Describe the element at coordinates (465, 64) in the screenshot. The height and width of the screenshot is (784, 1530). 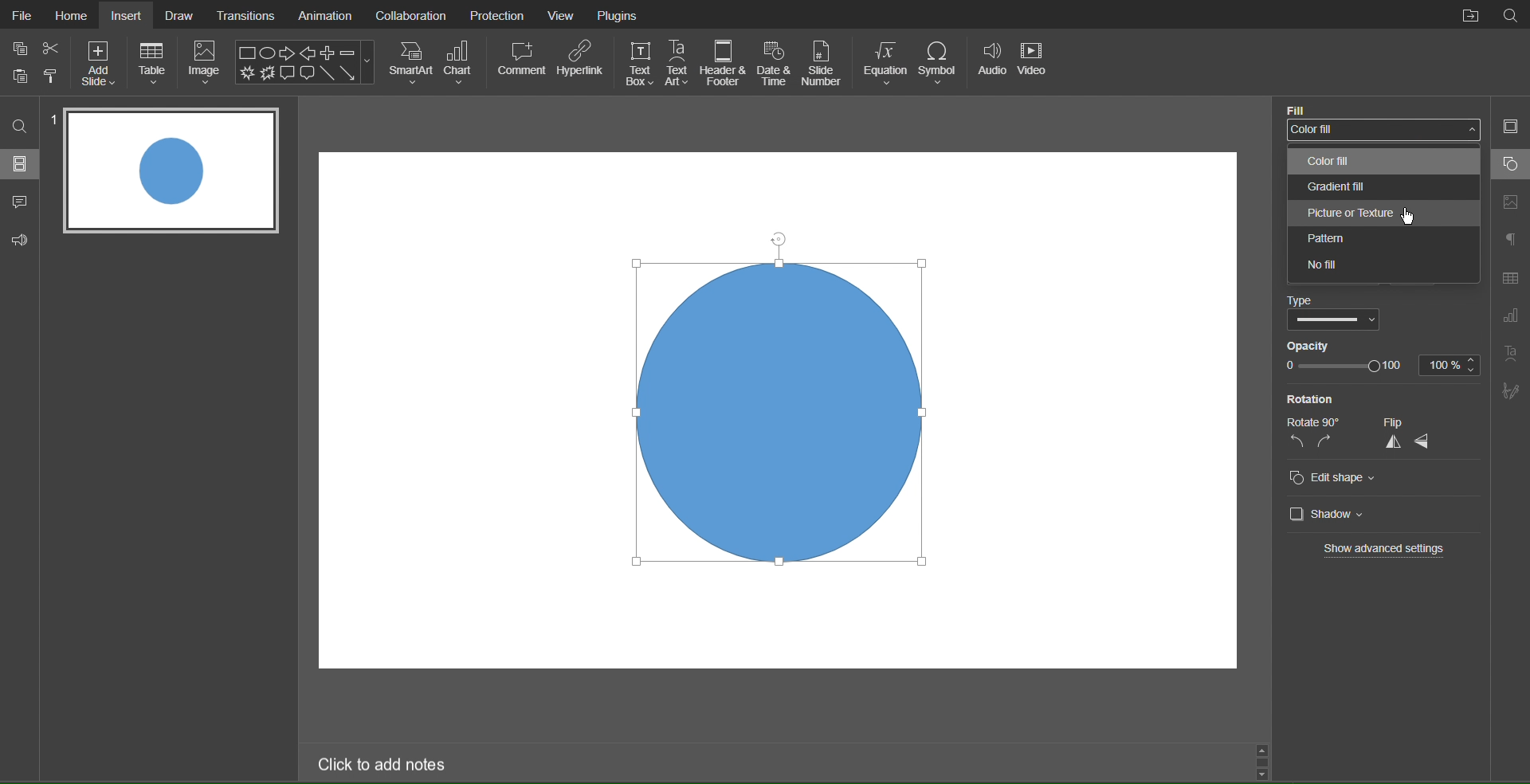
I see `Chart` at that location.